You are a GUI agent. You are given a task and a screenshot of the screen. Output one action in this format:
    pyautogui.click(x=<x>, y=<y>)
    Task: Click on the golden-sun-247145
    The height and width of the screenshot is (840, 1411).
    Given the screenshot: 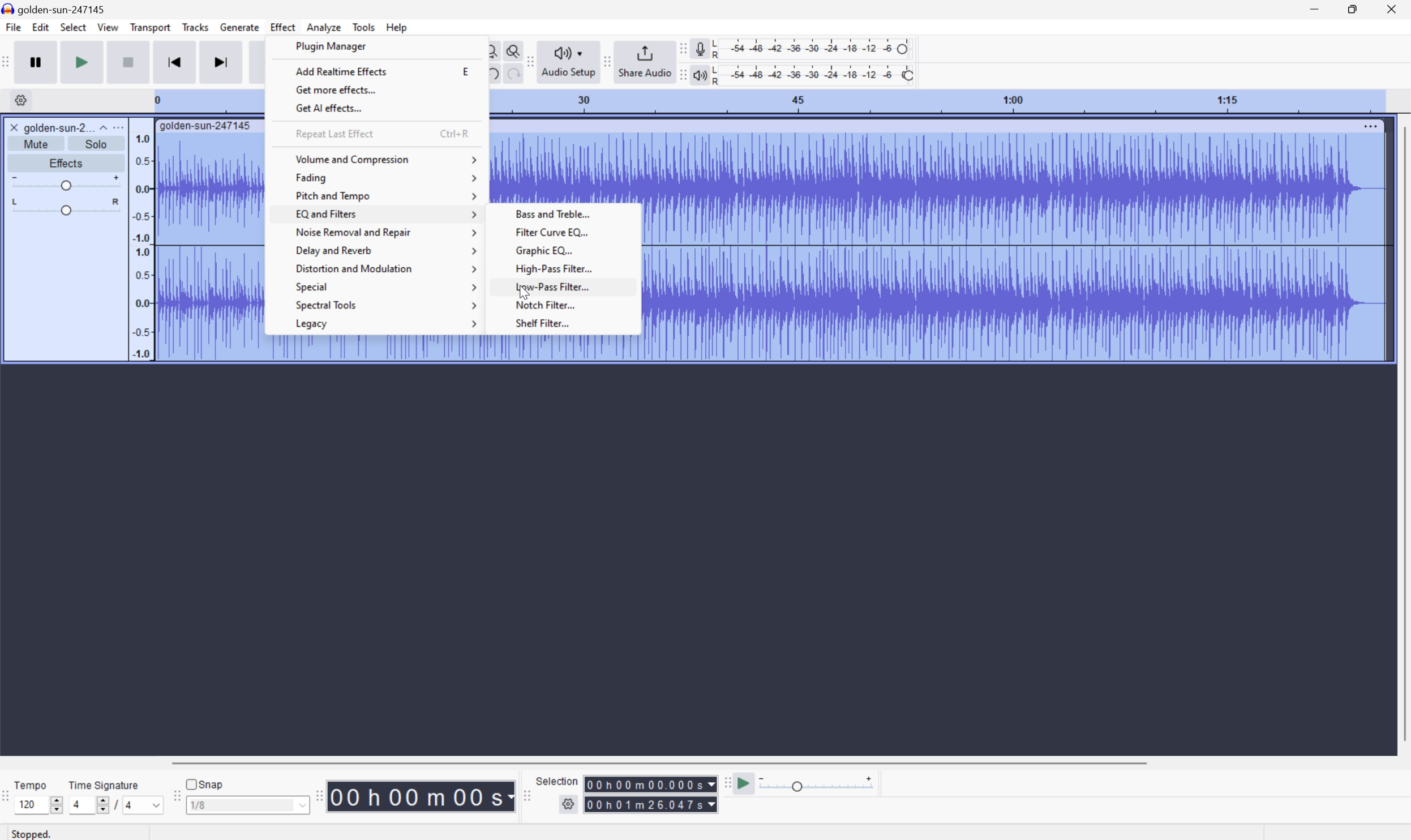 What is the action you would take?
    pyautogui.click(x=207, y=126)
    